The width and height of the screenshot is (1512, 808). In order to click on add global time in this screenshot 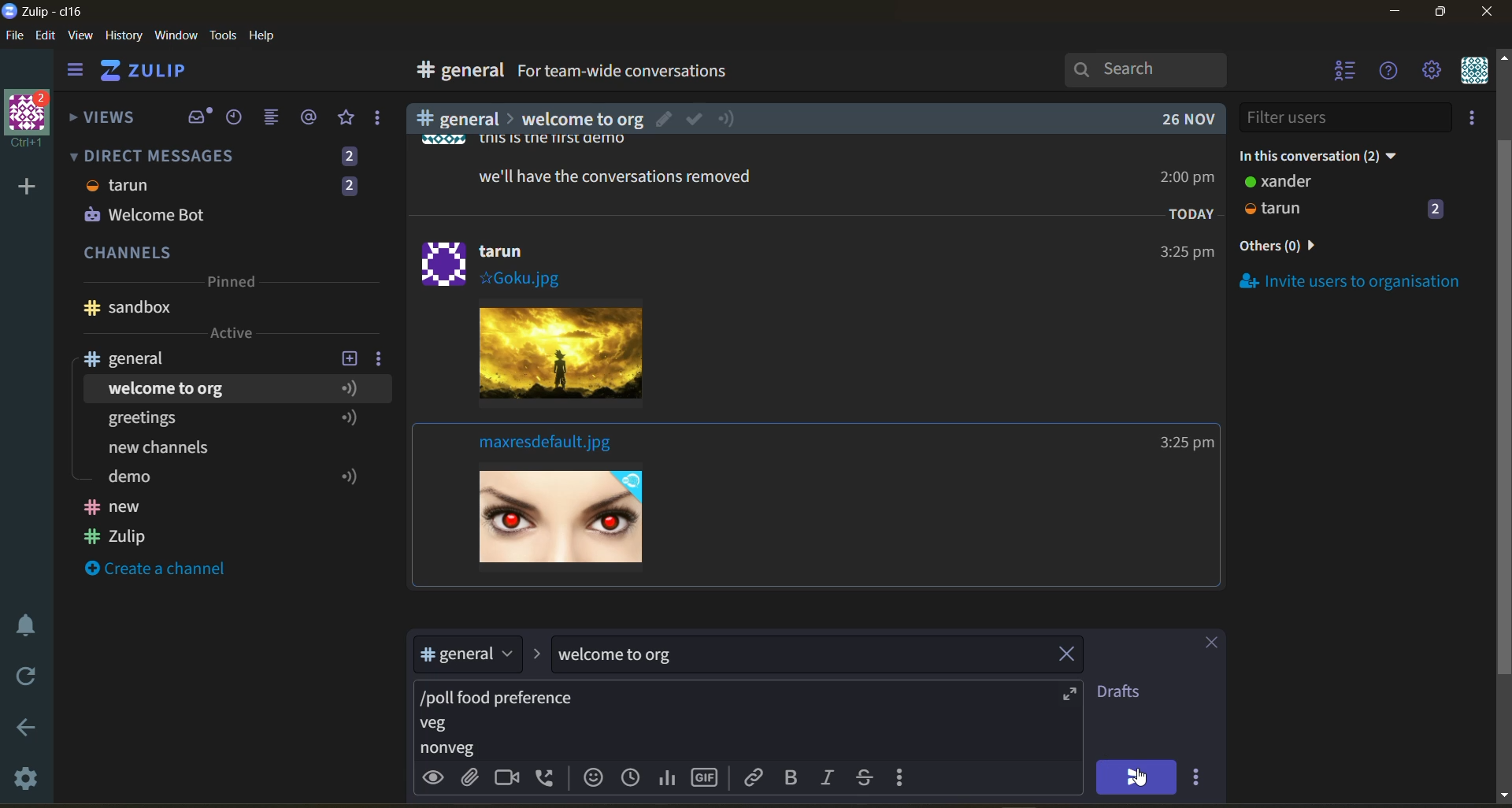, I will do `click(634, 776)`.